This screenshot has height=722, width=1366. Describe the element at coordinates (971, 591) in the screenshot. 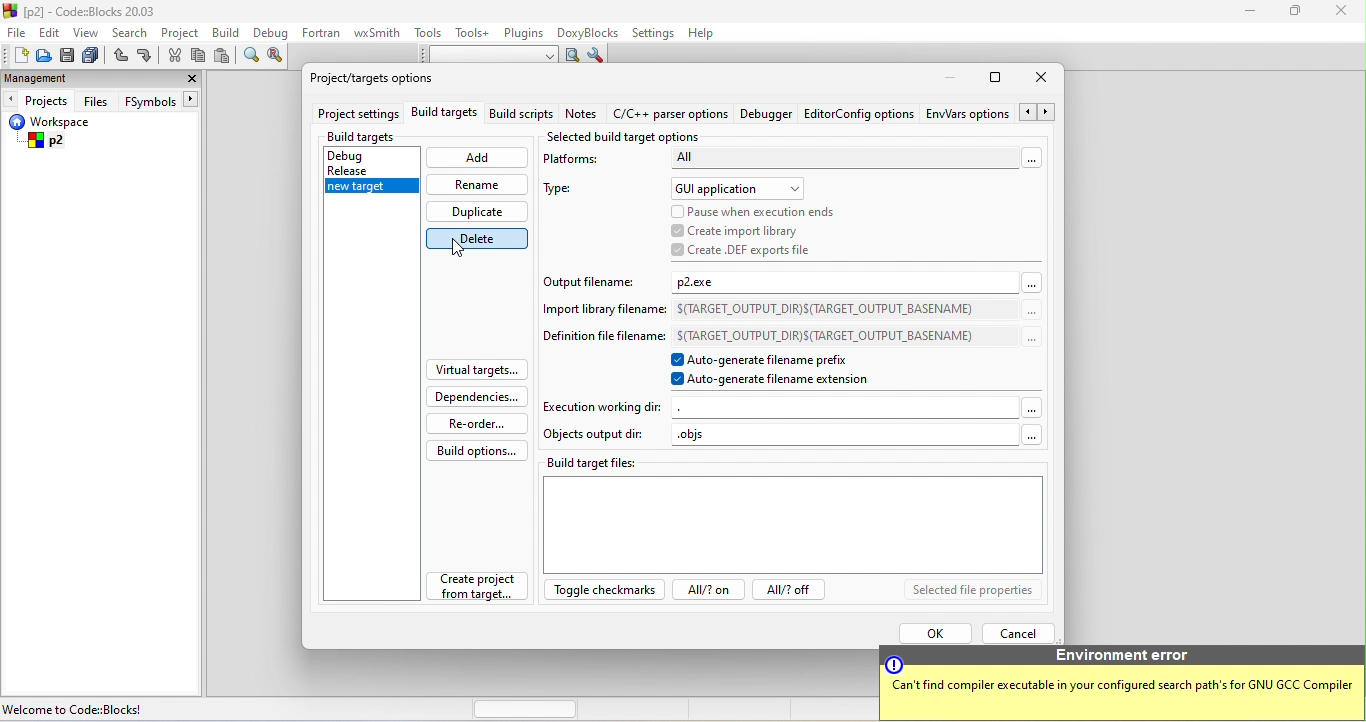

I see `selected file properties` at that location.